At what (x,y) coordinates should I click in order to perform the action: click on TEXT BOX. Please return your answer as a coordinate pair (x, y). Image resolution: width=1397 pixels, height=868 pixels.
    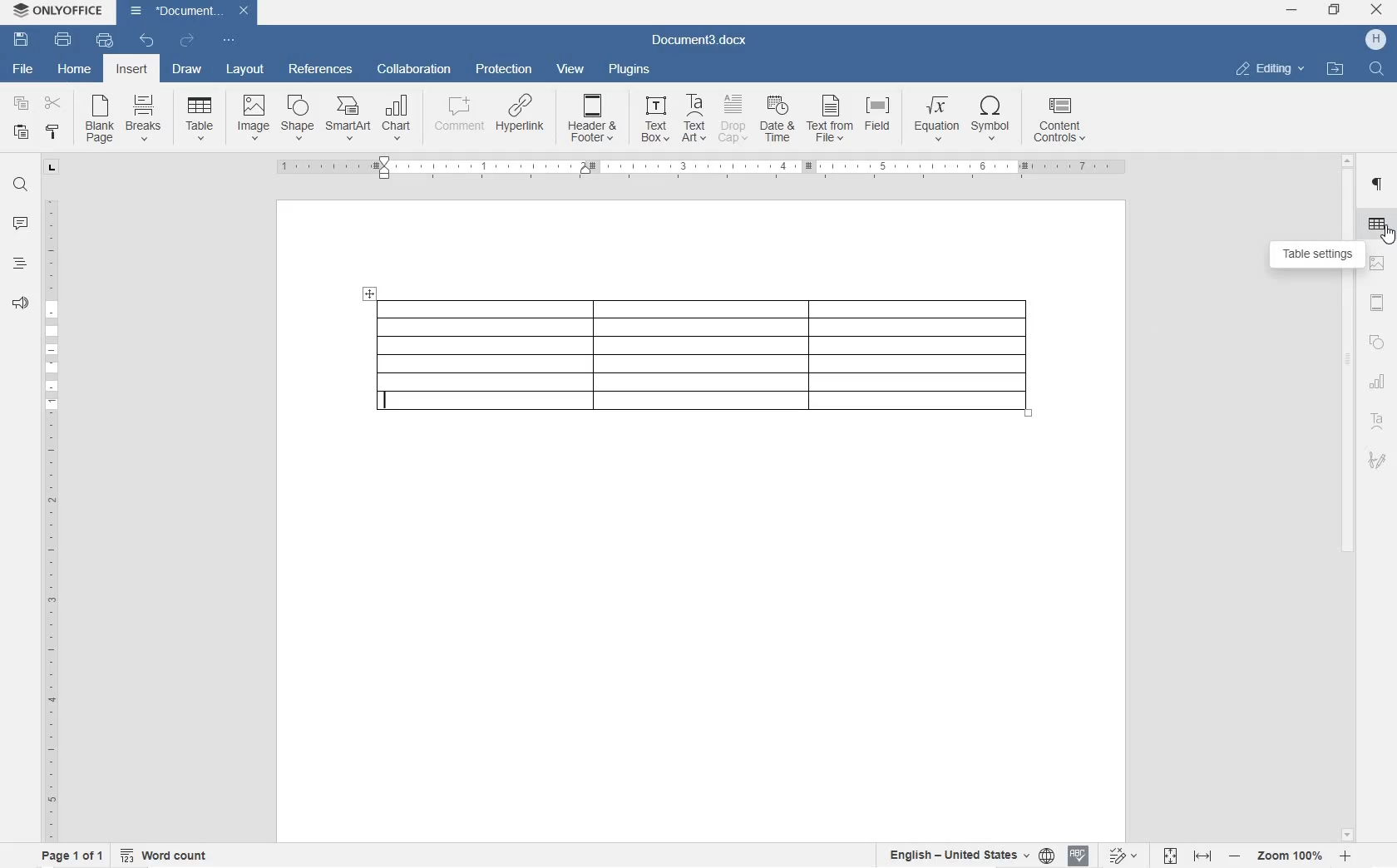
    Looking at the image, I should click on (655, 121).